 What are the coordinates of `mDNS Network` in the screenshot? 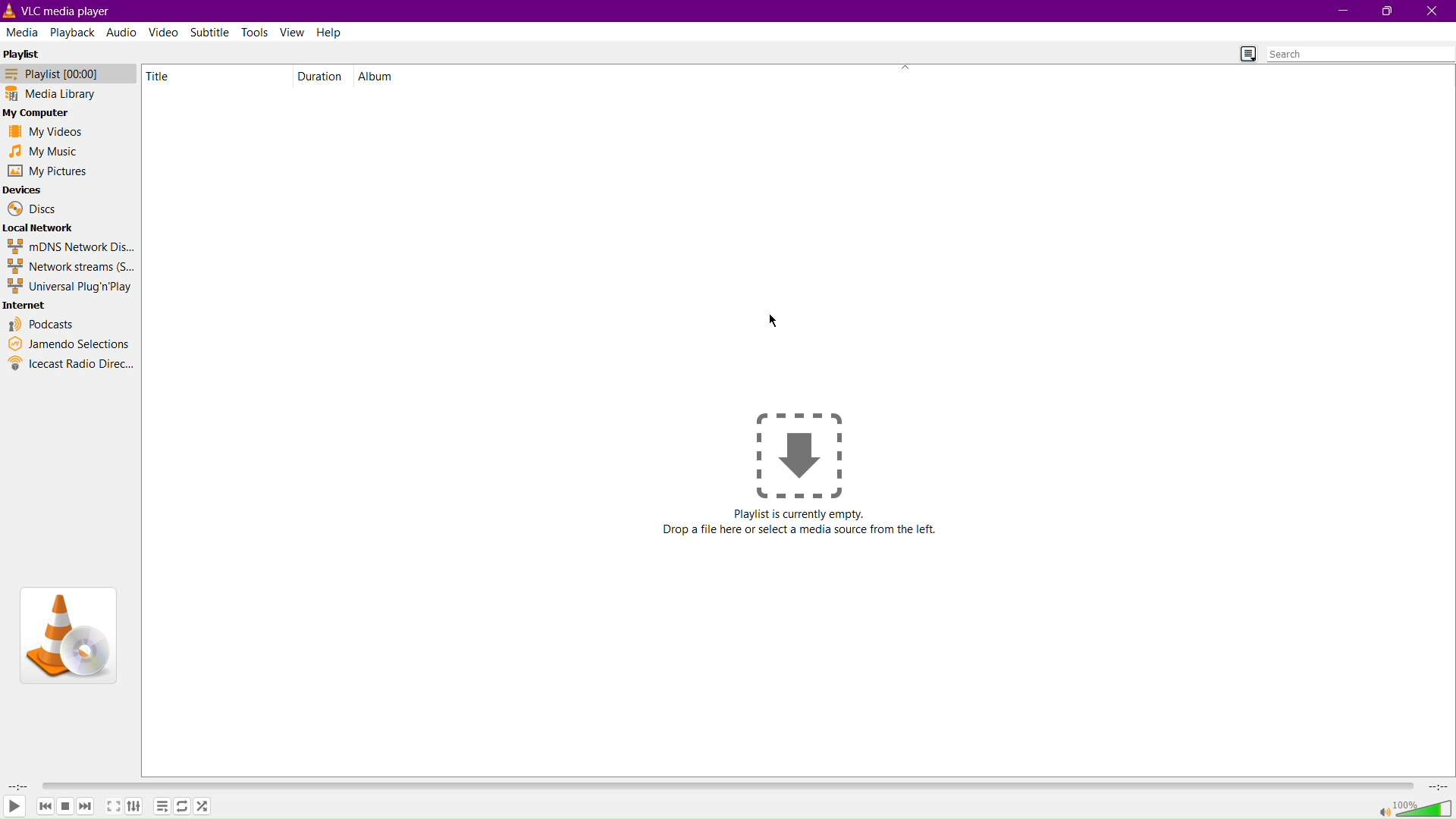 It's located at (69, 246).